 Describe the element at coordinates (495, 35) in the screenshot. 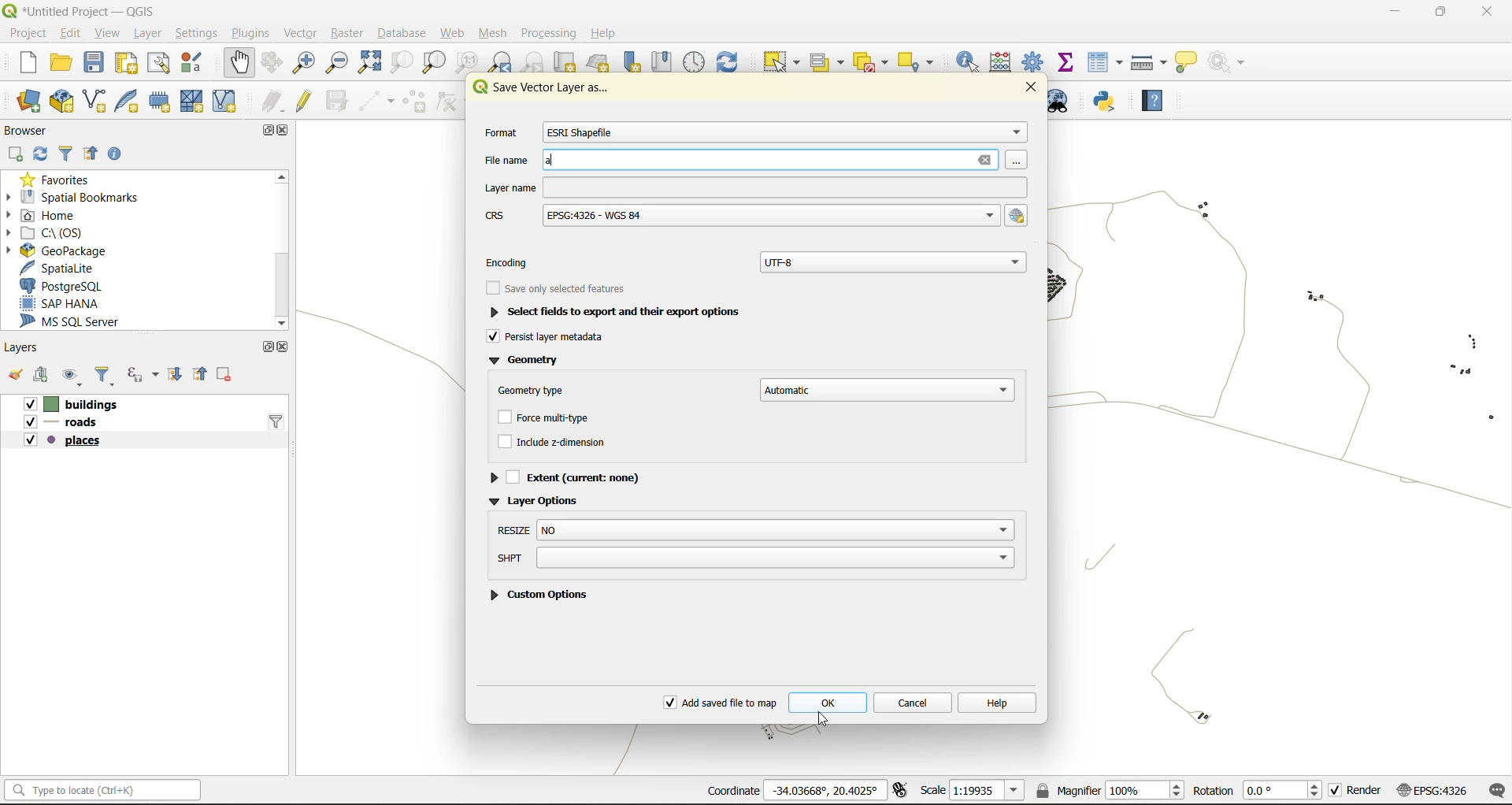

I see `mesh` at that location.